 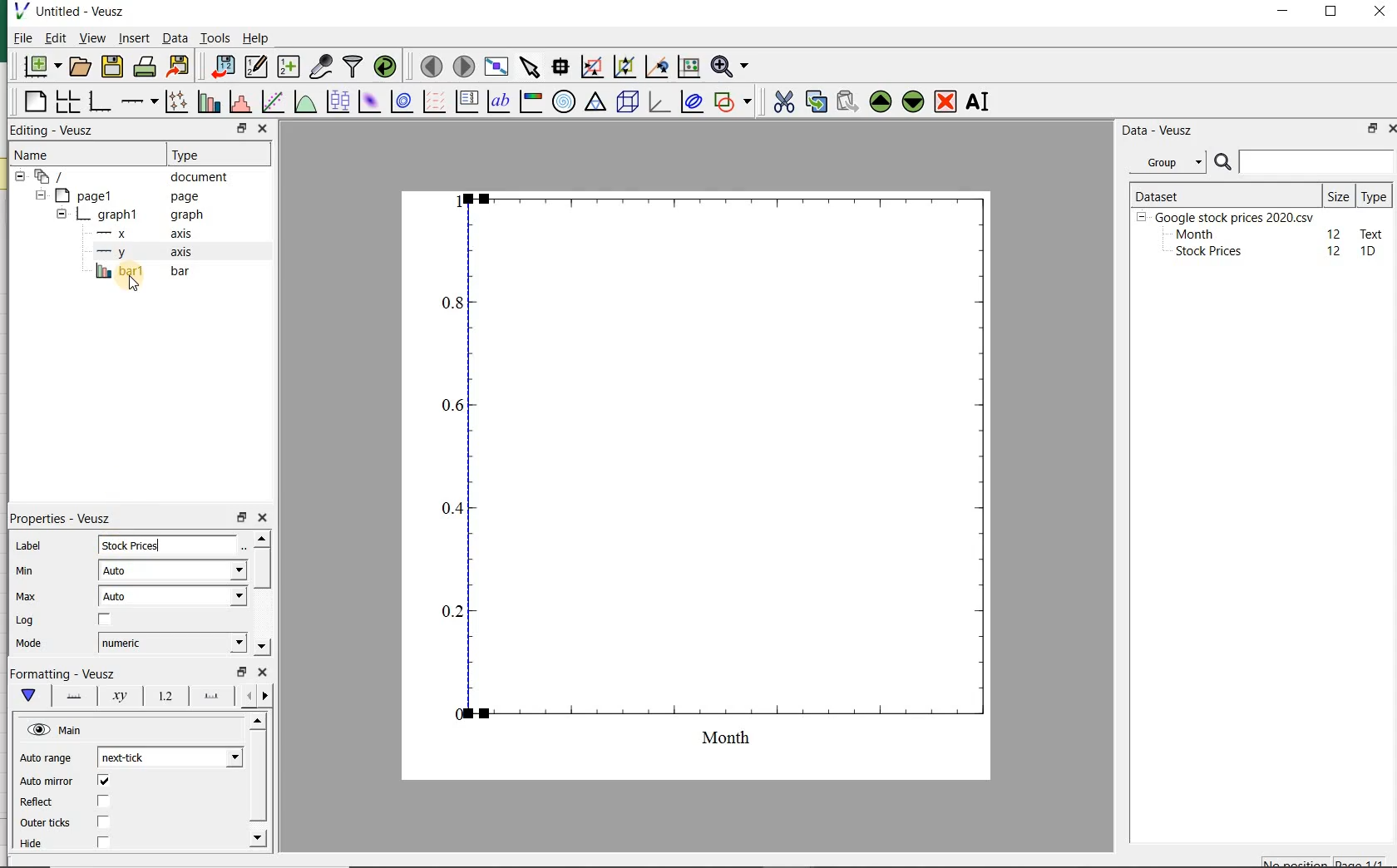 What do you see at coordinates (1370, 130) in the screenshot?
I see `restore` at bounding box center [1370, 130].